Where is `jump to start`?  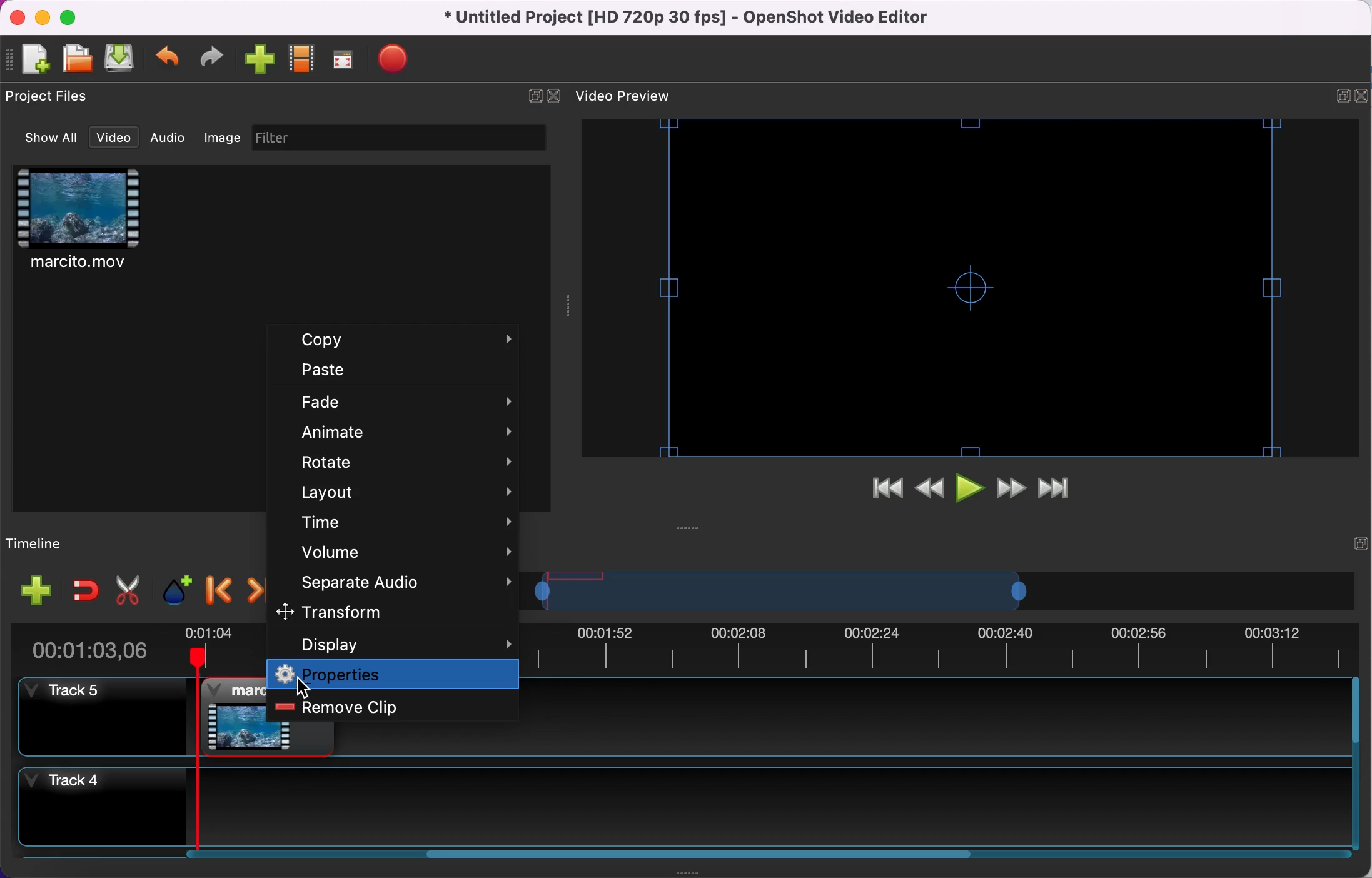
jump to start is located at coordinates (879, 492).